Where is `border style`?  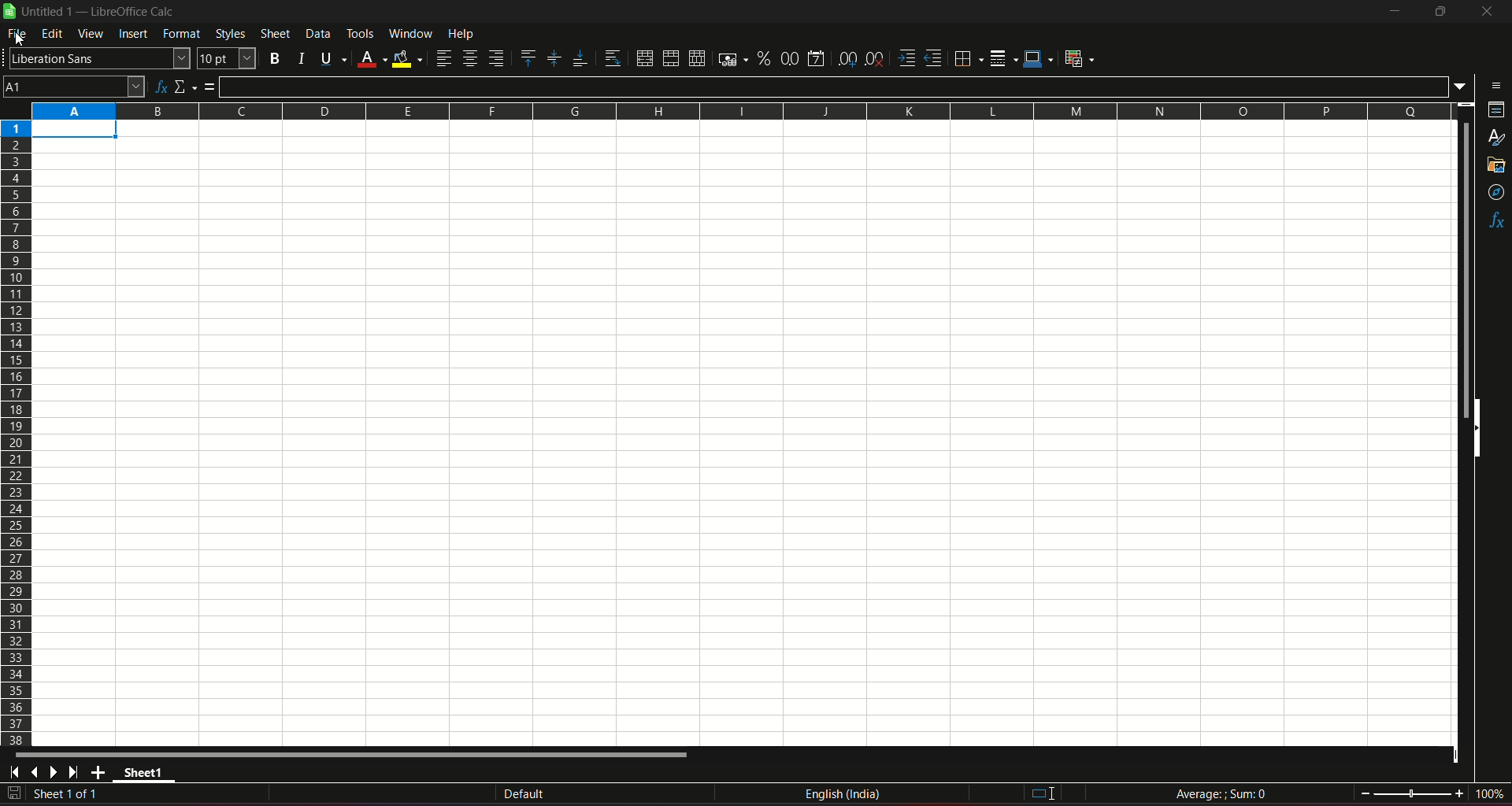 border style is located at coordinates (1005, 57).